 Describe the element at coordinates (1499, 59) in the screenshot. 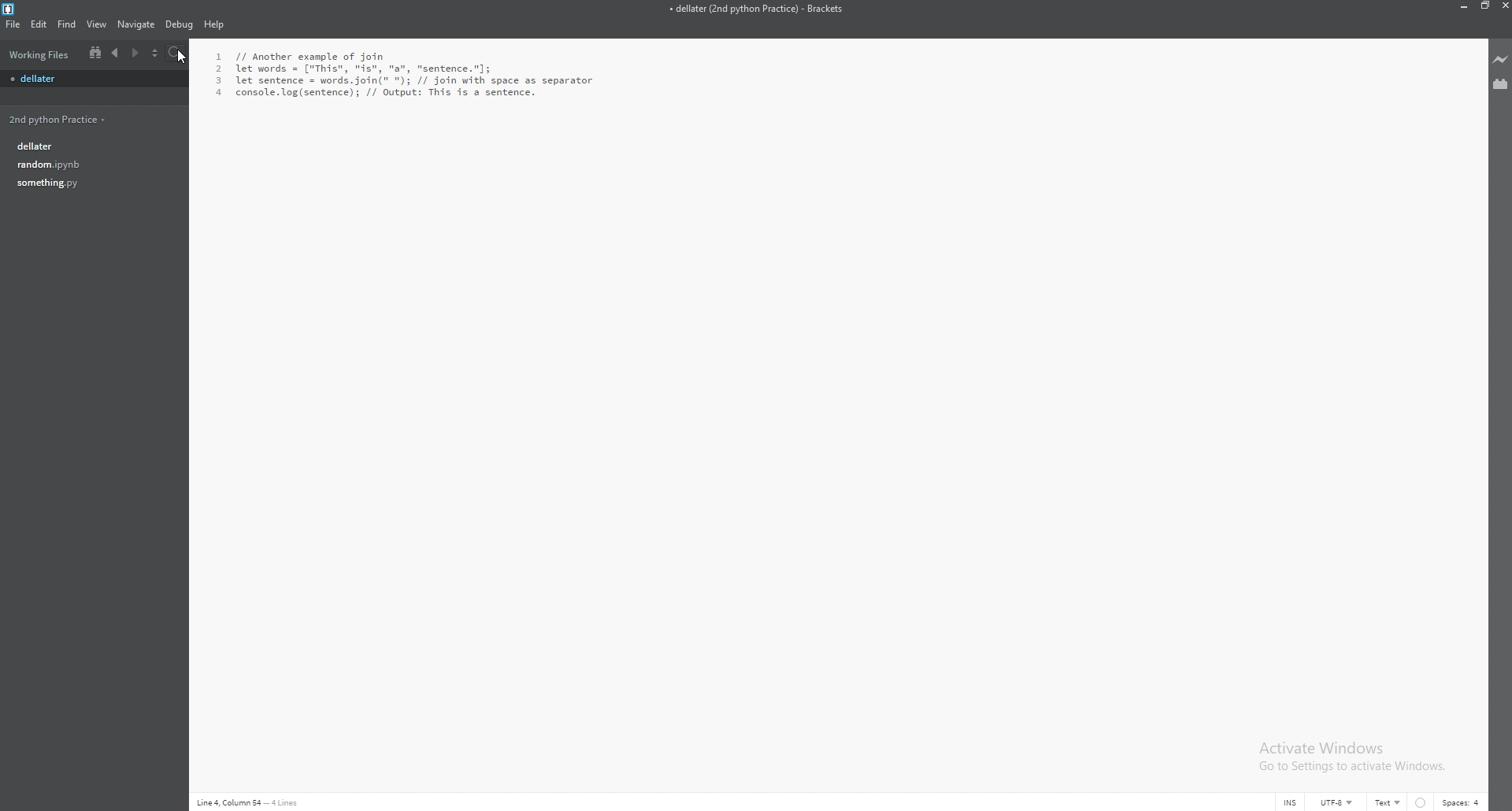

I see `live preview` at that location.